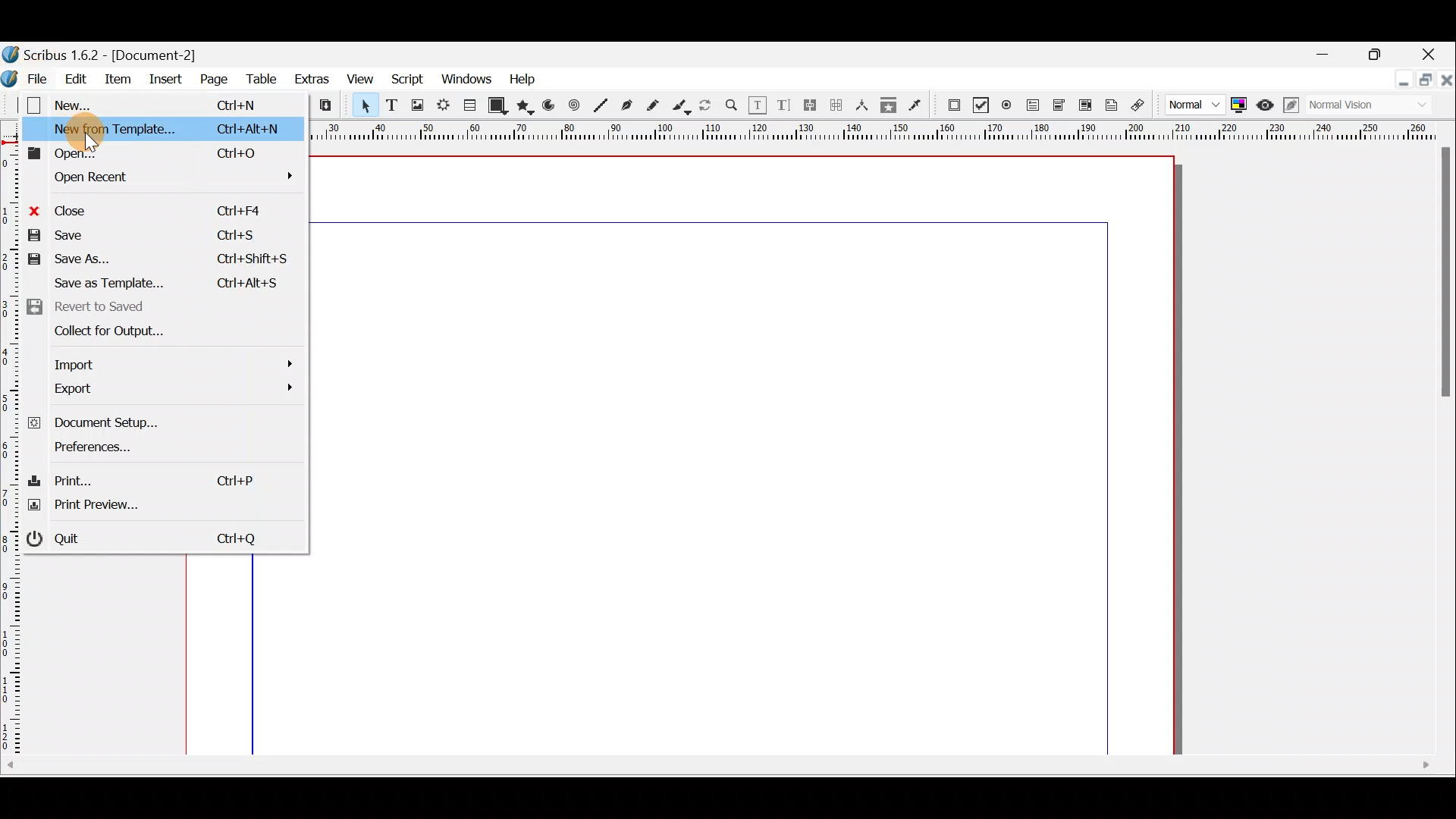  I want to click on Render frame, so click(443, 108).